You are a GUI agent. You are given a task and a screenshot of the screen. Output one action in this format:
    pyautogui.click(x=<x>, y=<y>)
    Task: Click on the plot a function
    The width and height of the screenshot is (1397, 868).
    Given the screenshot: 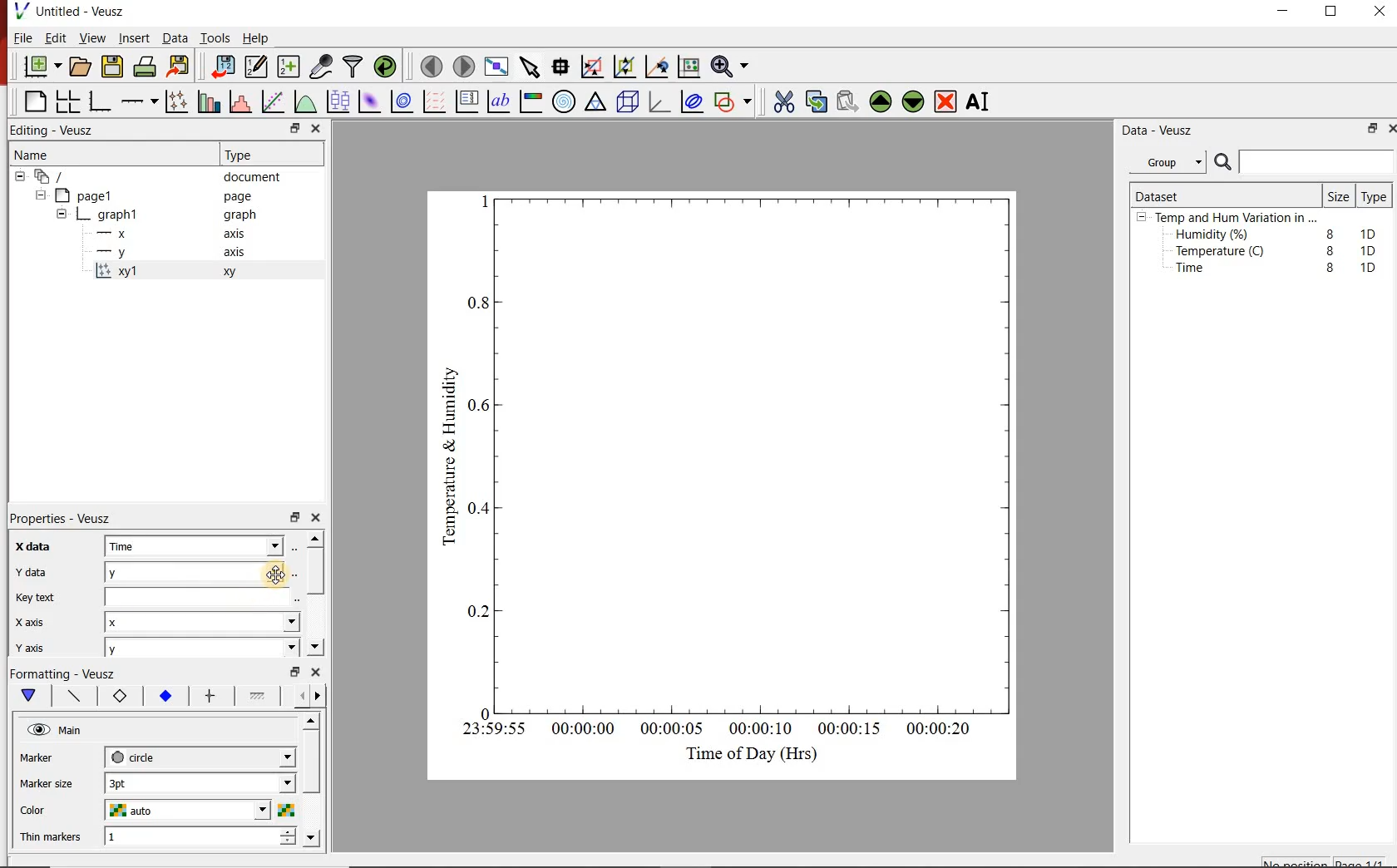 What is the action you would take?
    pyautogui.click(x=307, y=104)
    